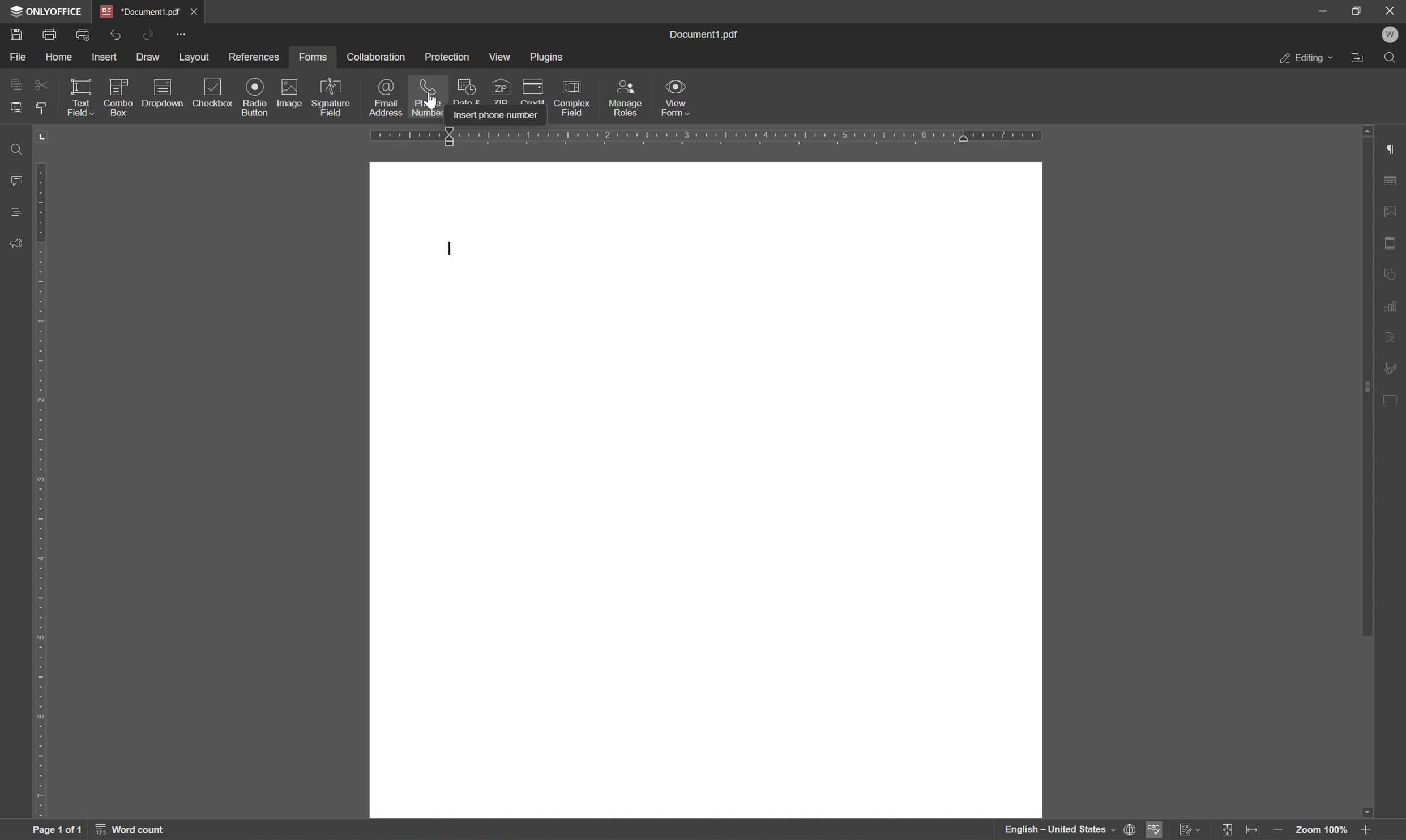 The image size is (1406, 840). What do you see at coordinates (144, 57) in the screenshot?
I see `draw` at bounding box center [144, 57].